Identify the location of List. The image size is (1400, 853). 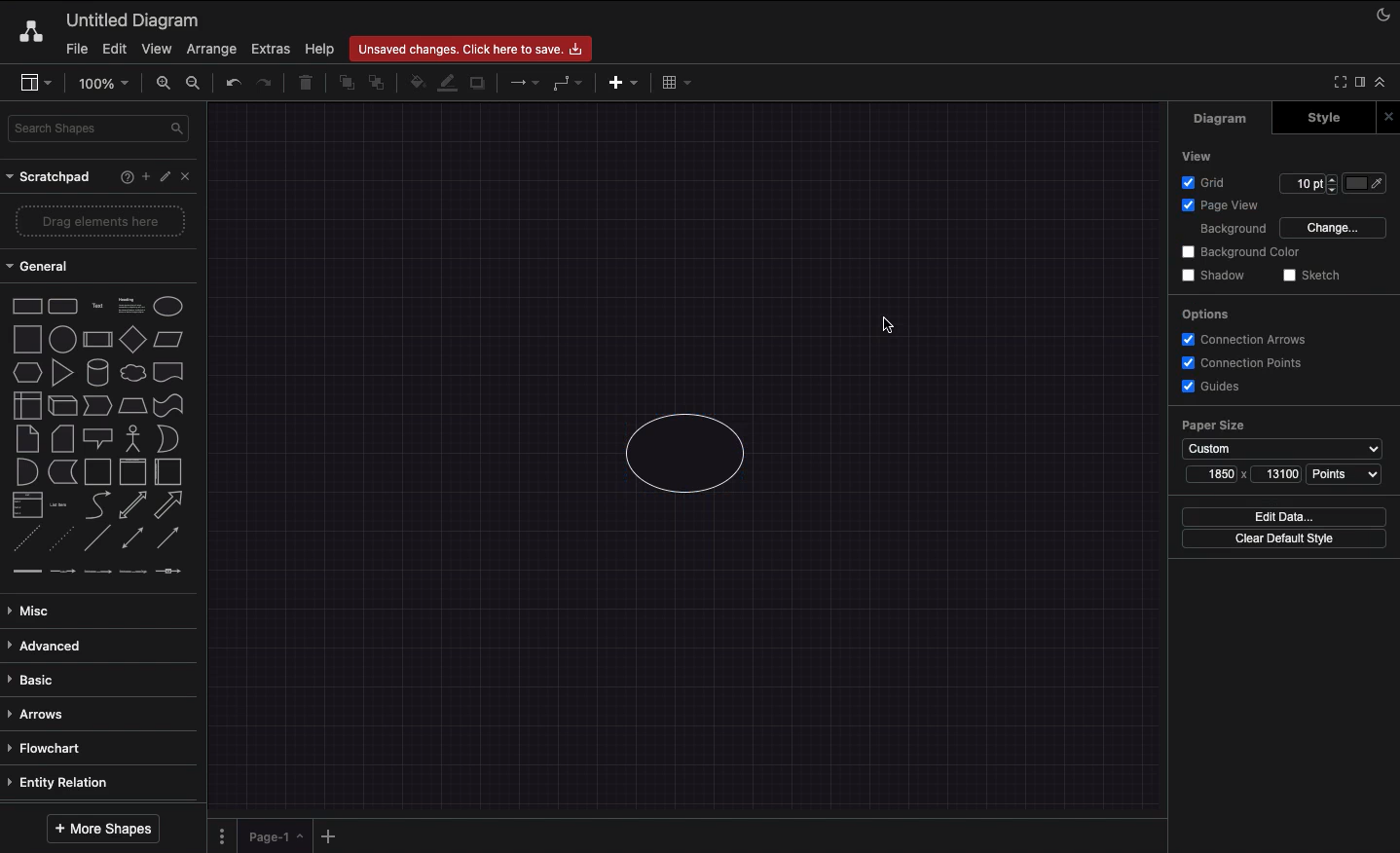
(25, 505).